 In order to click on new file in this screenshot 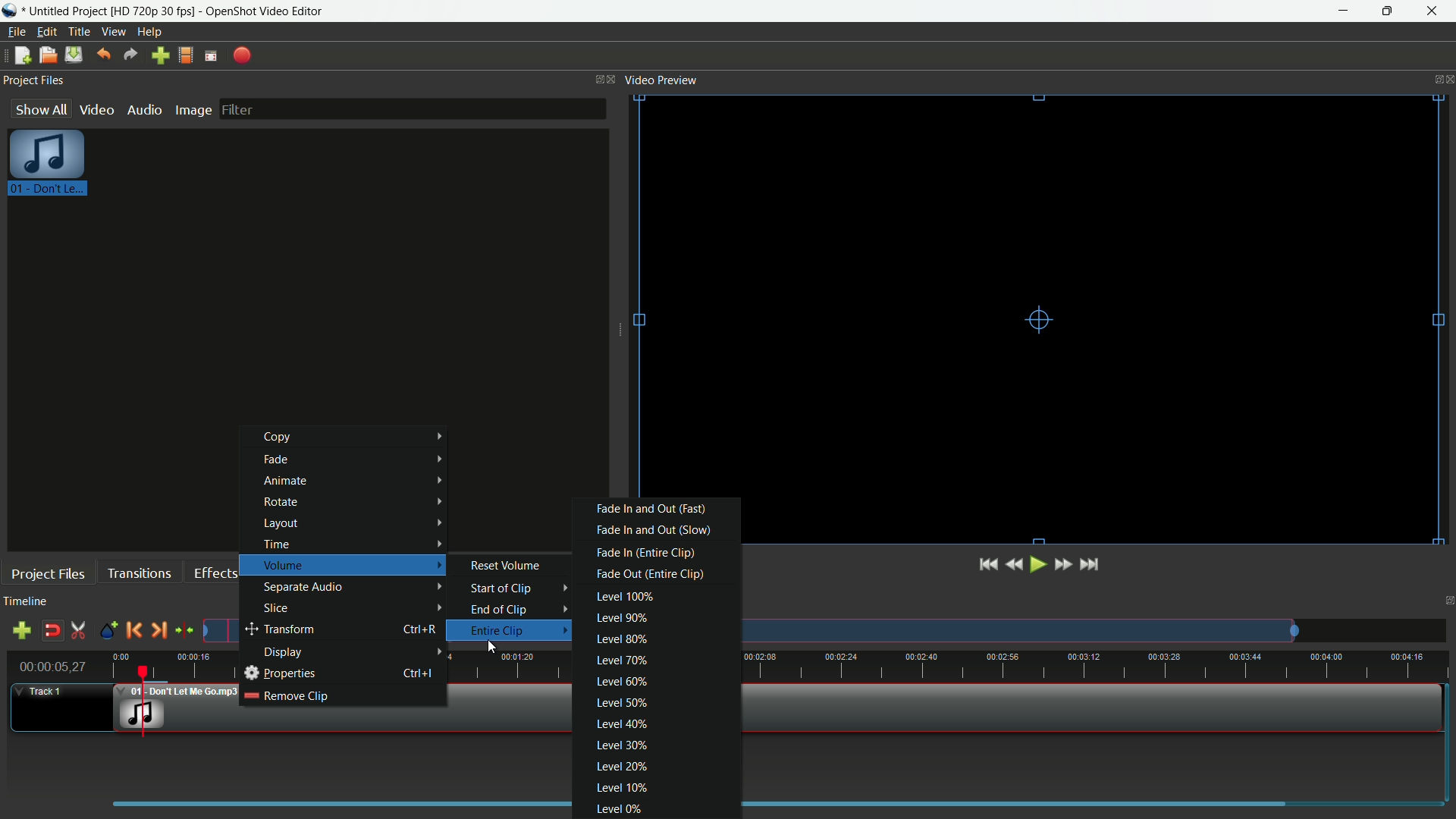, I will do `click(22, 55)`.